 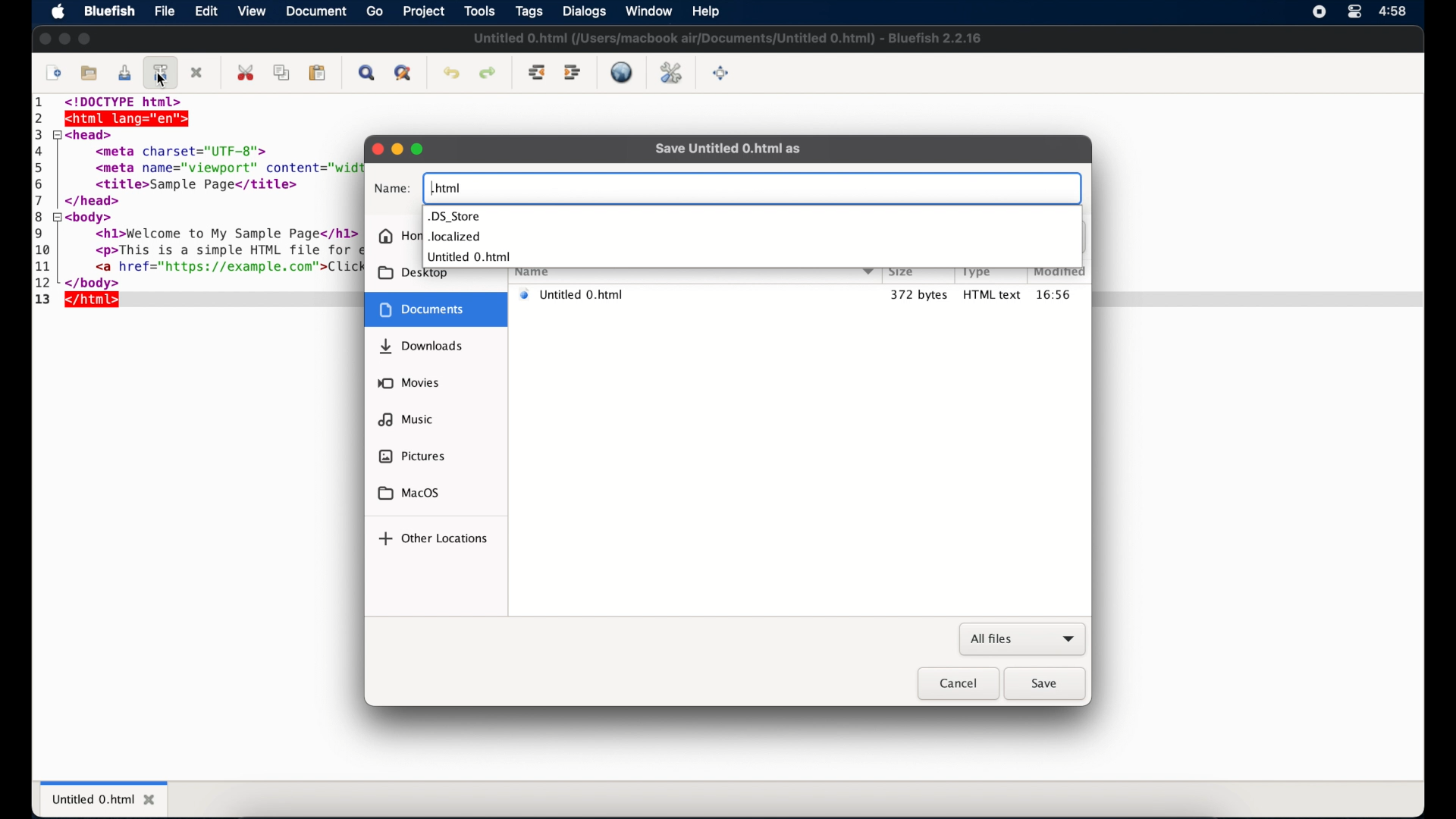 What do you see at coordinates (392, 190) in the screenshot?
I see `name:` at bounding box center [392, 190].